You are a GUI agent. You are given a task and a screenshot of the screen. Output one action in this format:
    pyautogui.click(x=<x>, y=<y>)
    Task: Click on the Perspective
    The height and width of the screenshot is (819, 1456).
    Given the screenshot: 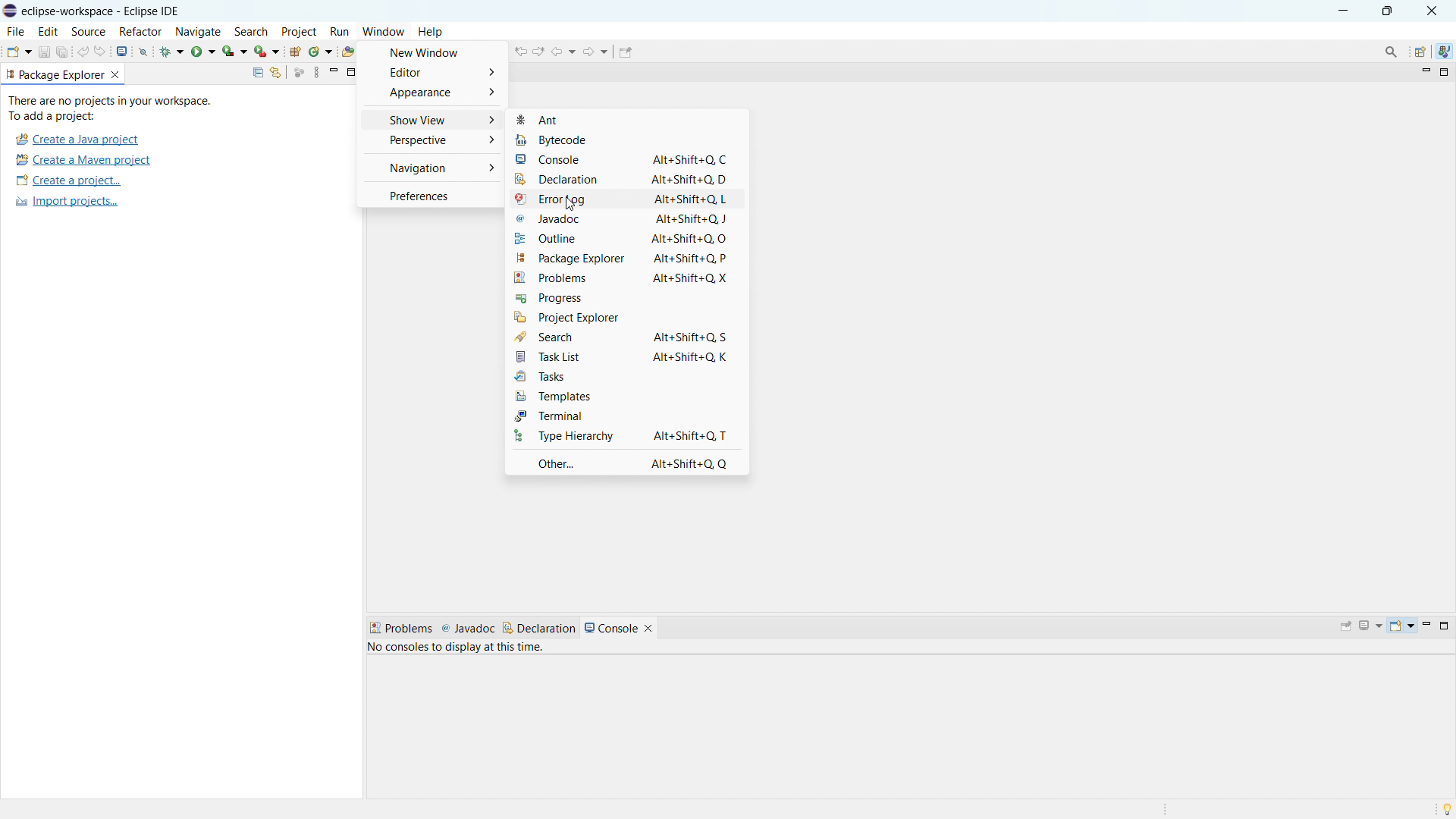 What is the action you would take?
    pyautogui.click(x=438, y=142)
    